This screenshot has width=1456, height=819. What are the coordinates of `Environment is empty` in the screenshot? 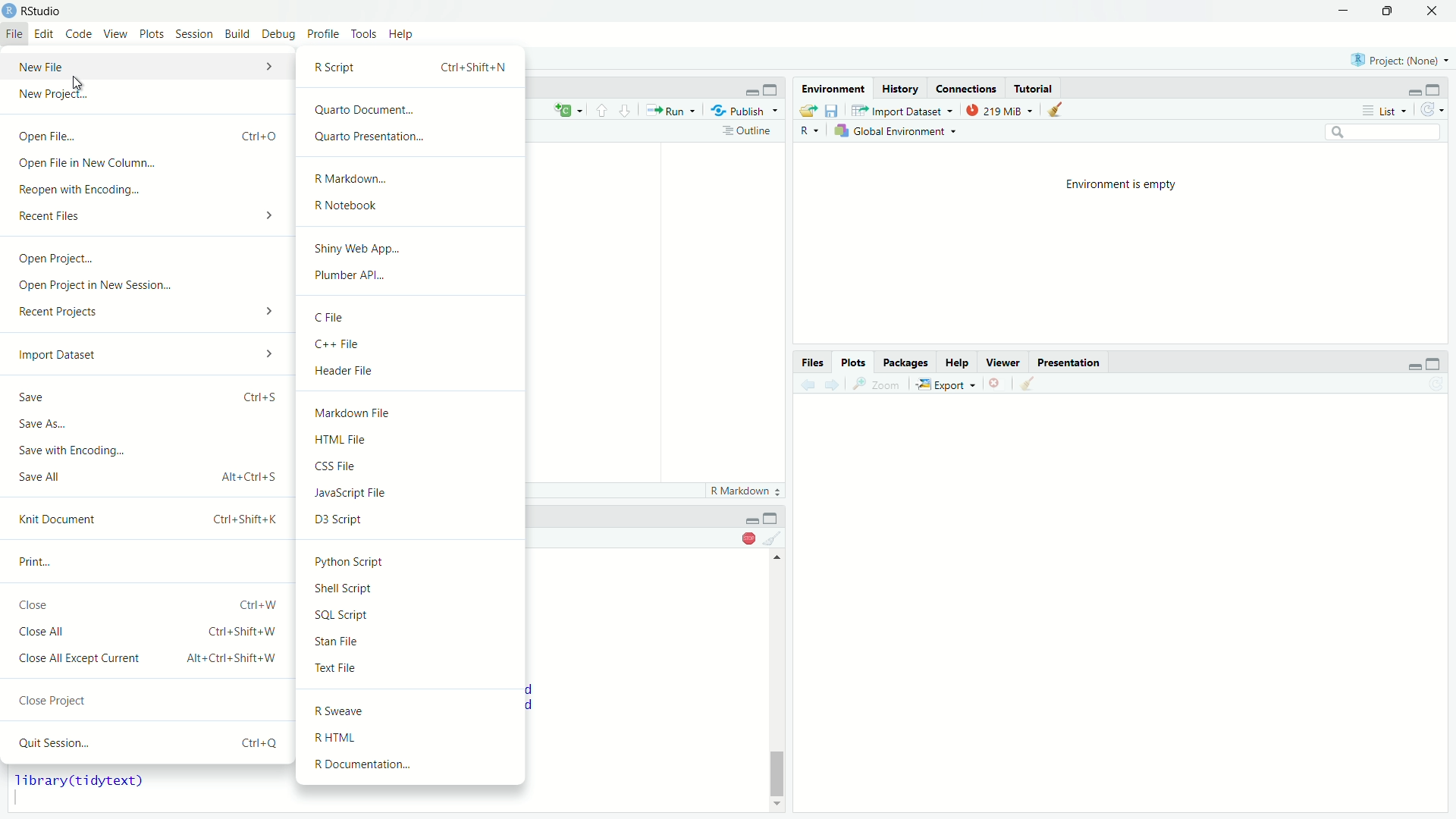 It's located at (1119, 183).